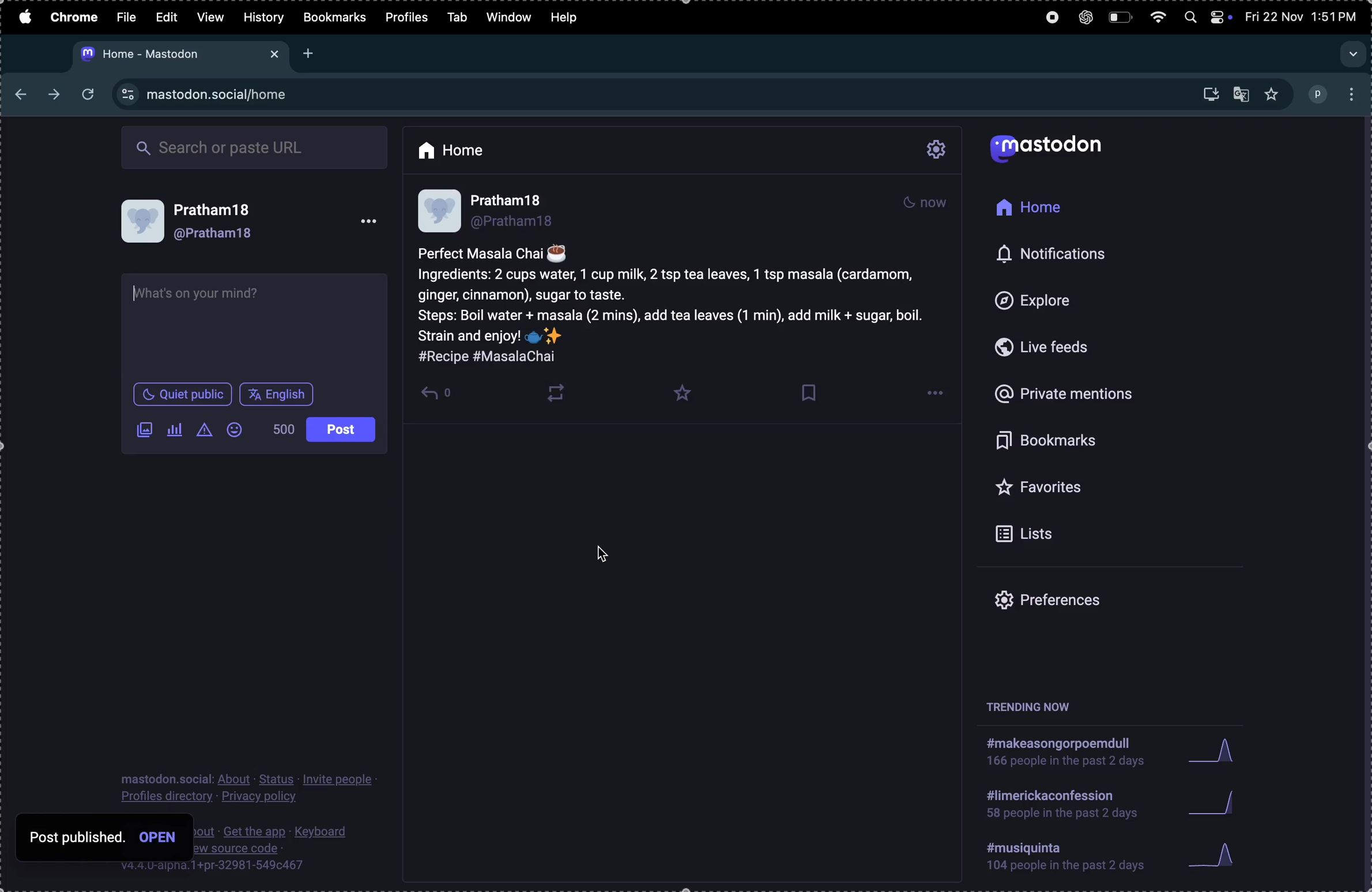  Describe the element at coordinates (1189, 16) in the screenshot. I see `spotlight search` at that location.